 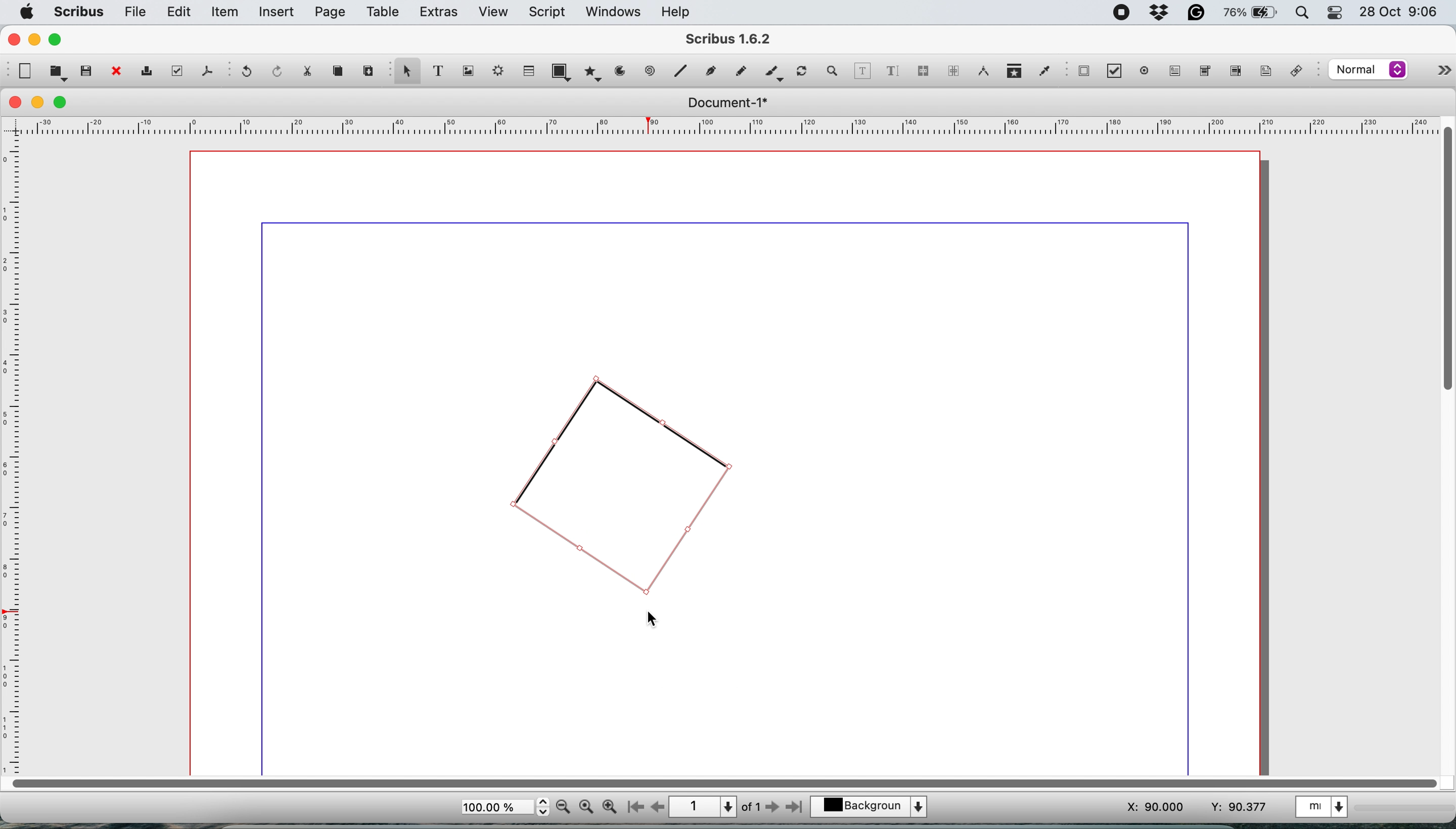 I want to click on polygon, so click(x=592, y=75).